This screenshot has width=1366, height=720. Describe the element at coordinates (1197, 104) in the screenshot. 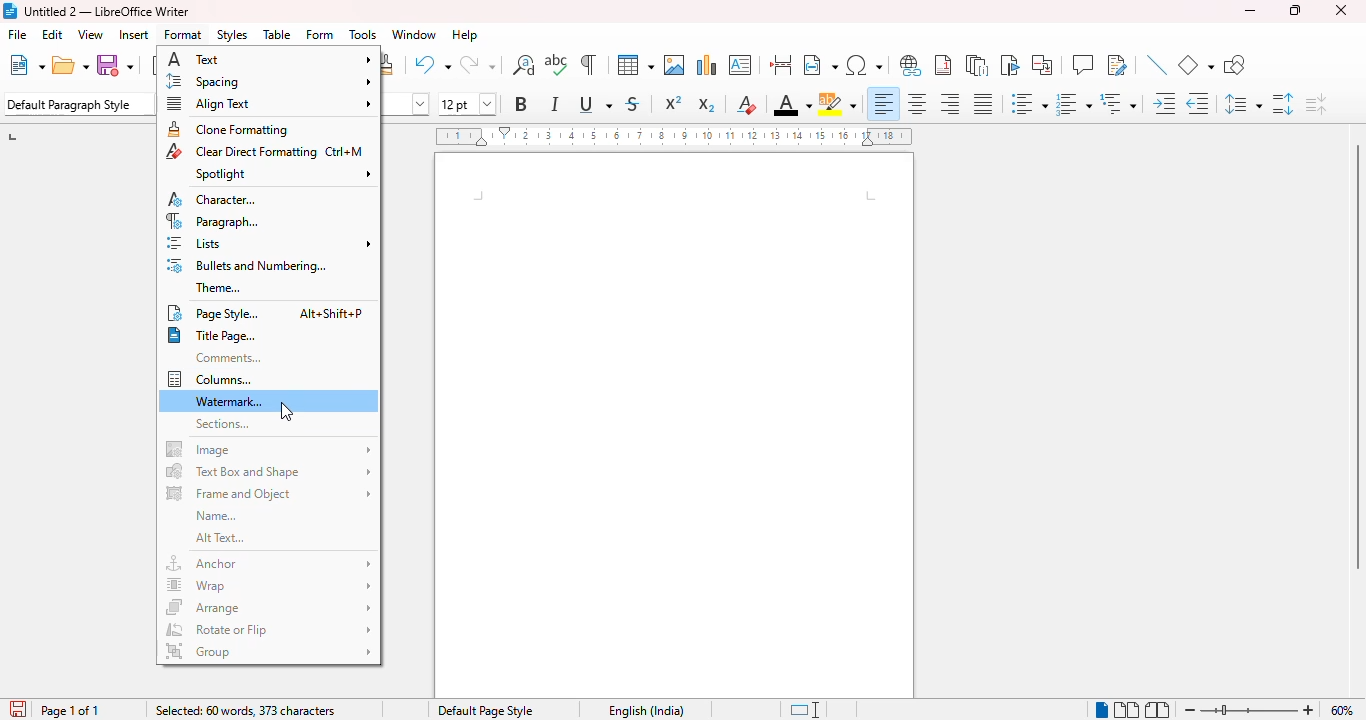

I see `decrease indent` at that location.